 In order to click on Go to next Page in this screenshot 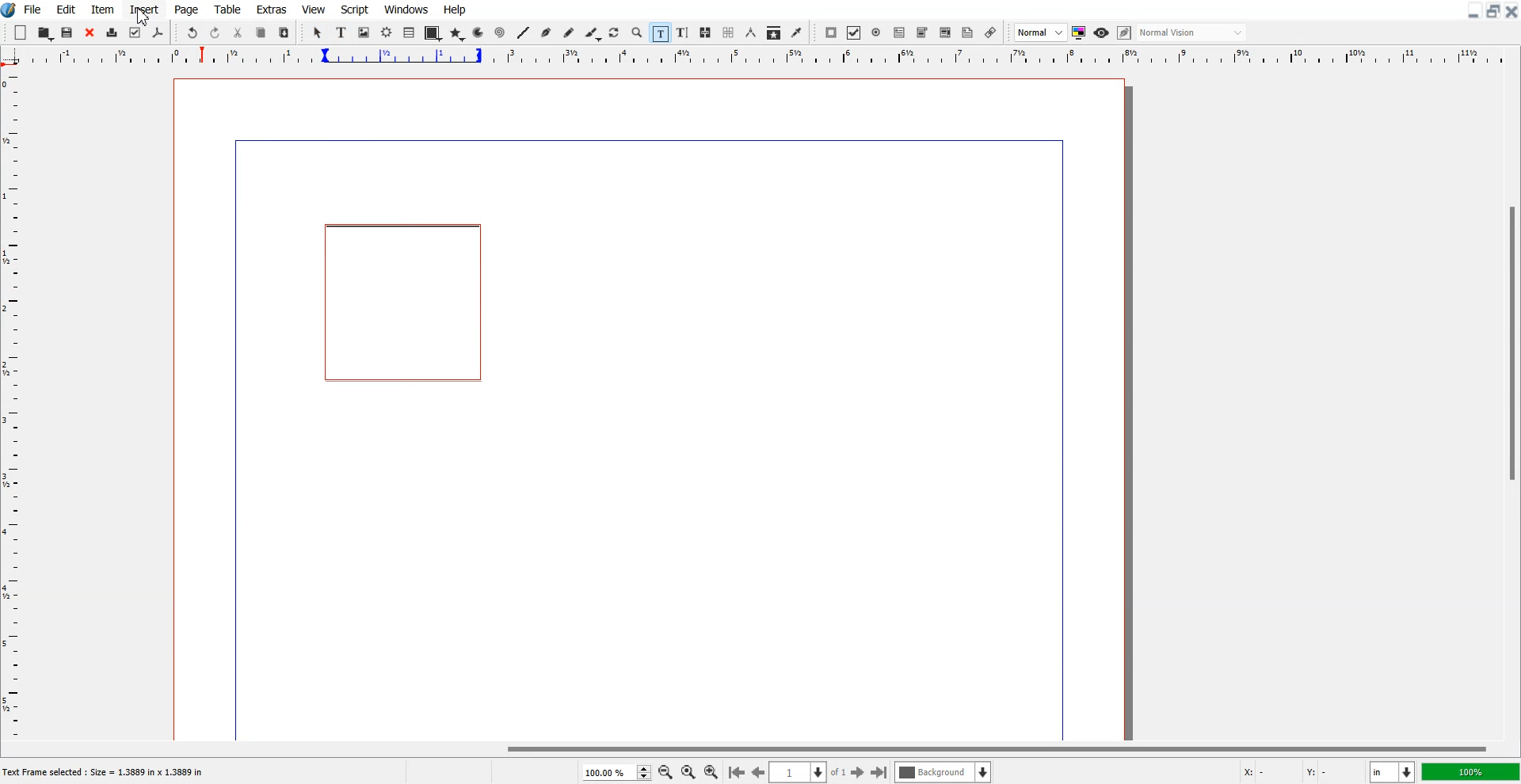, I will do `click(858, 773)`.